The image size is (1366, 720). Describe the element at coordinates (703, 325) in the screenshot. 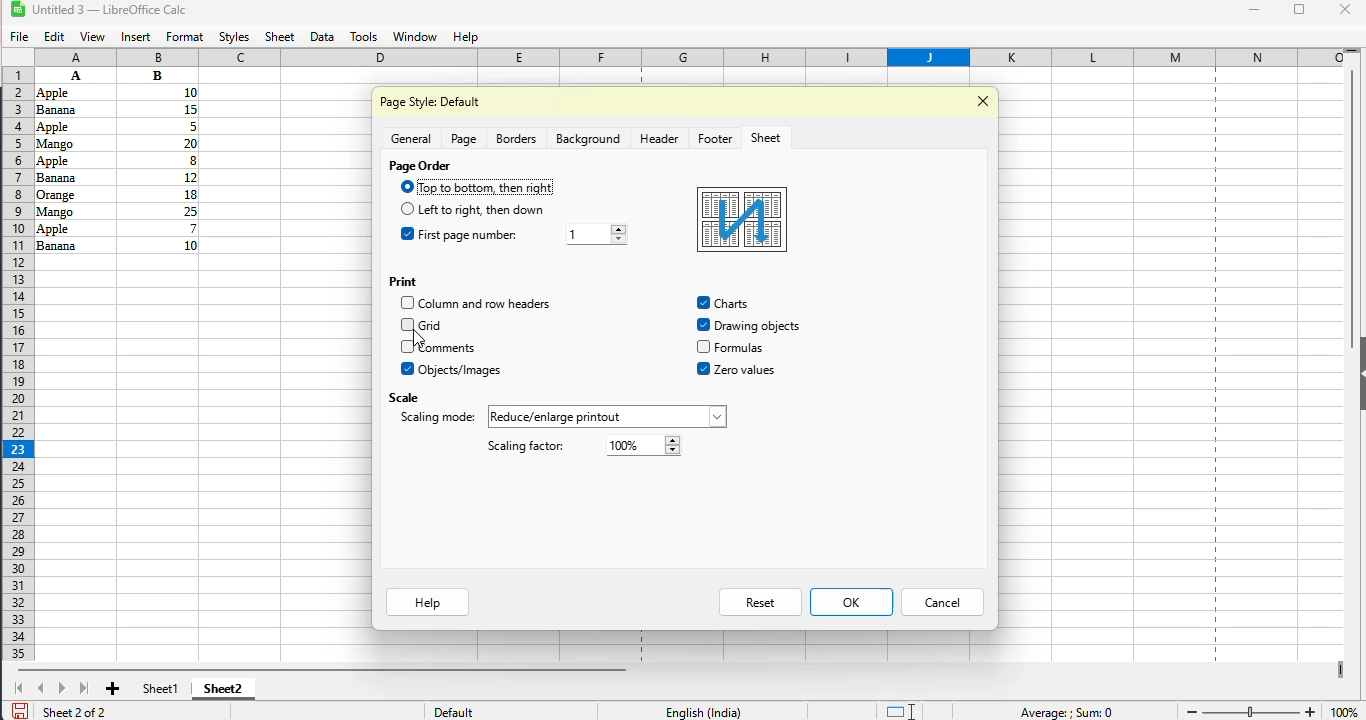

I see `drawing objects` at that location.